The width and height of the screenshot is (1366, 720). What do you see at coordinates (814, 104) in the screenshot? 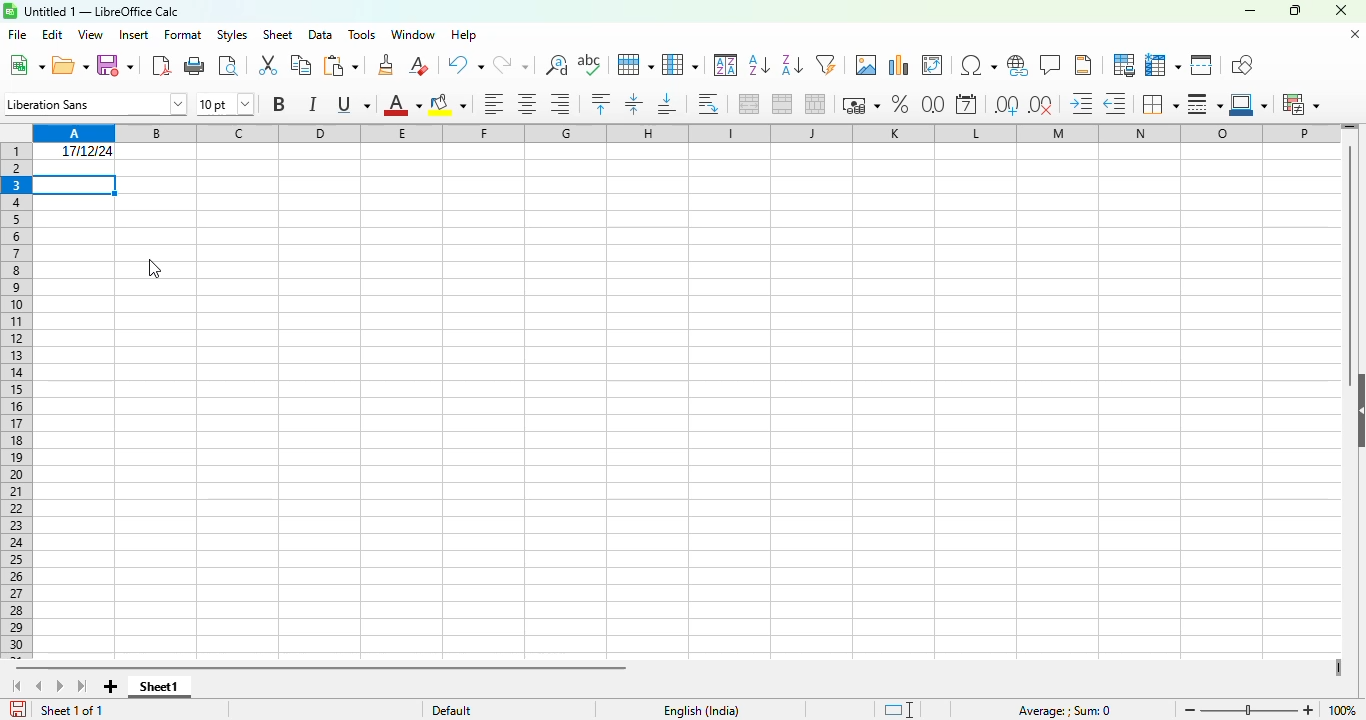
I see `unmerge cells` at bounding box center [814, 104].